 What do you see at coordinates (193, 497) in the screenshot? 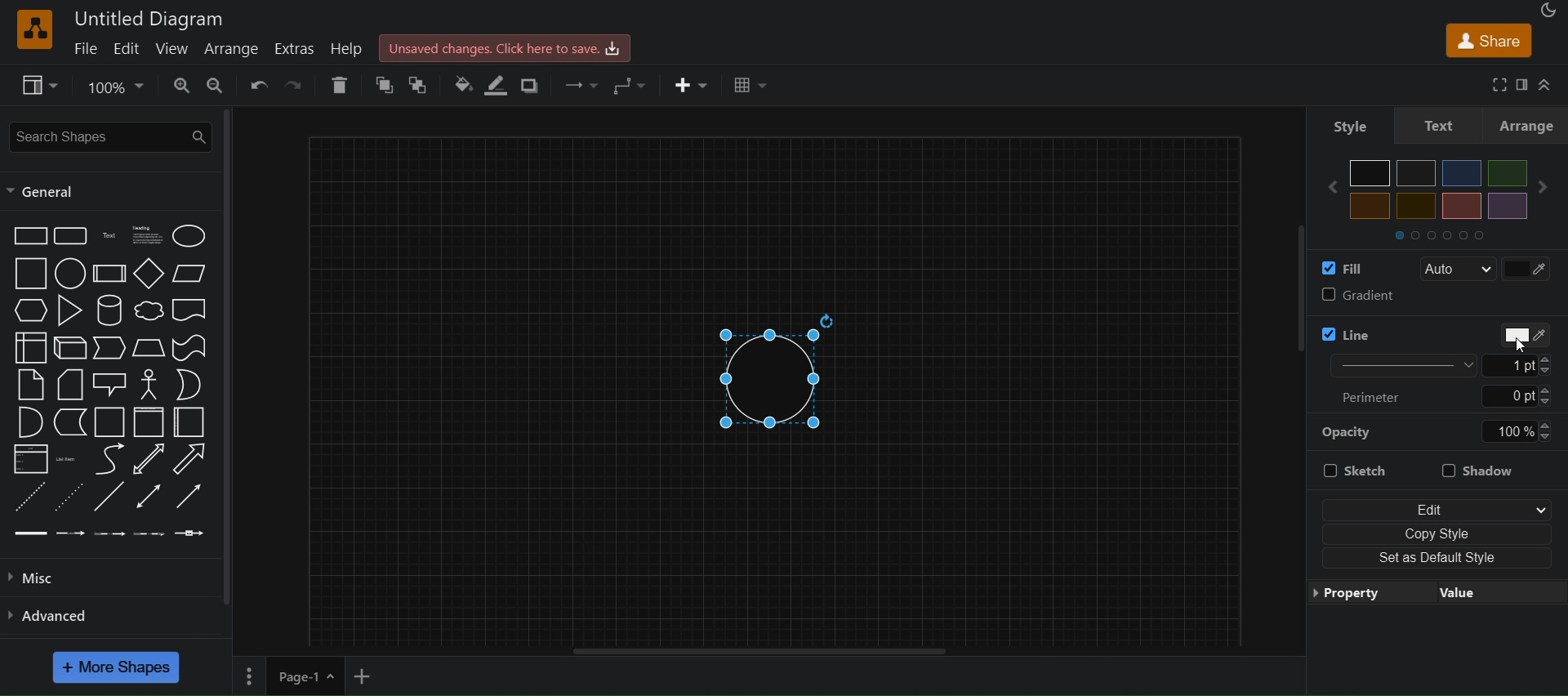
I see `directional connector` at bounding box center [193, 497].